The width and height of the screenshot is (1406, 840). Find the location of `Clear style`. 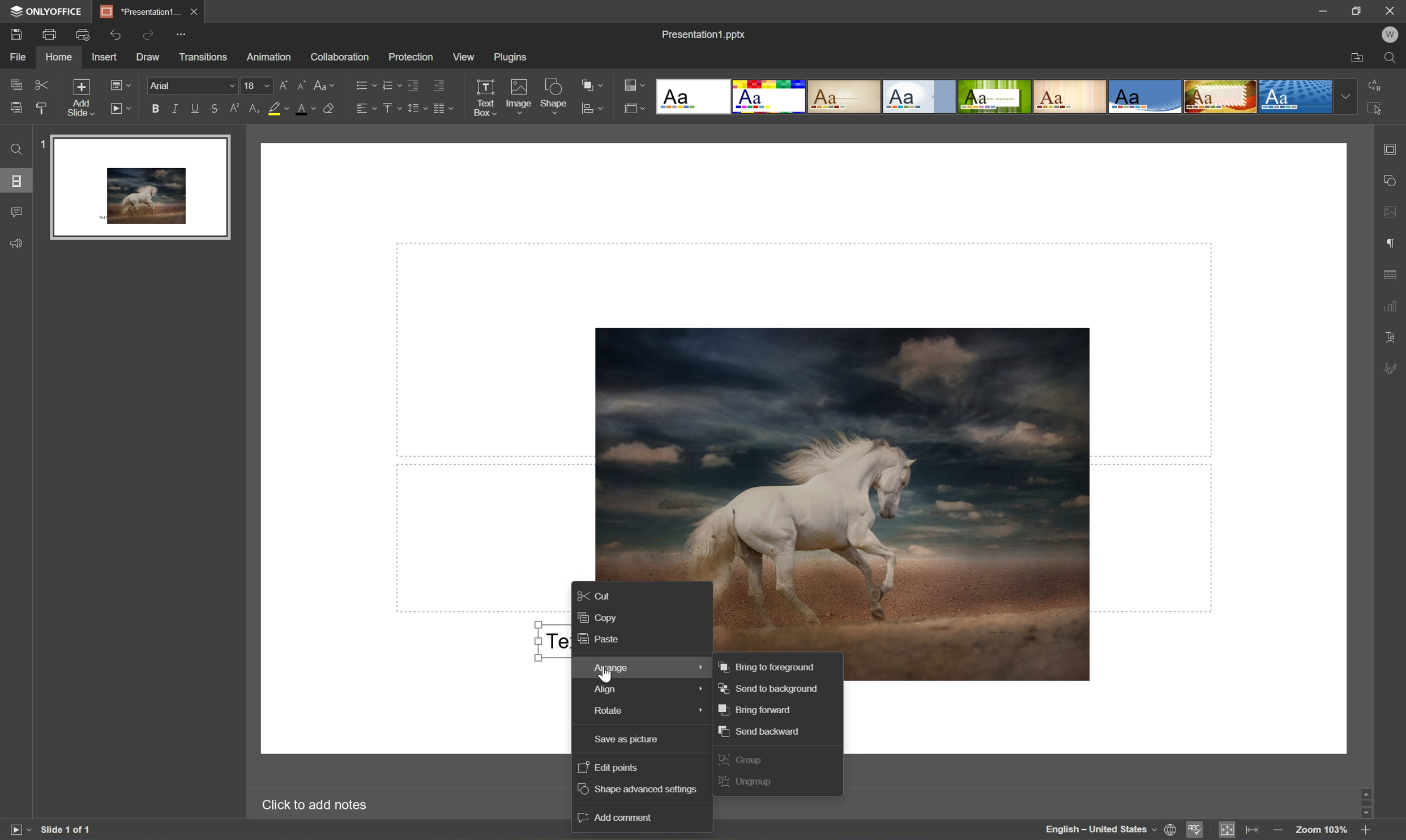

Clear style is located at coordinates (331, 109).